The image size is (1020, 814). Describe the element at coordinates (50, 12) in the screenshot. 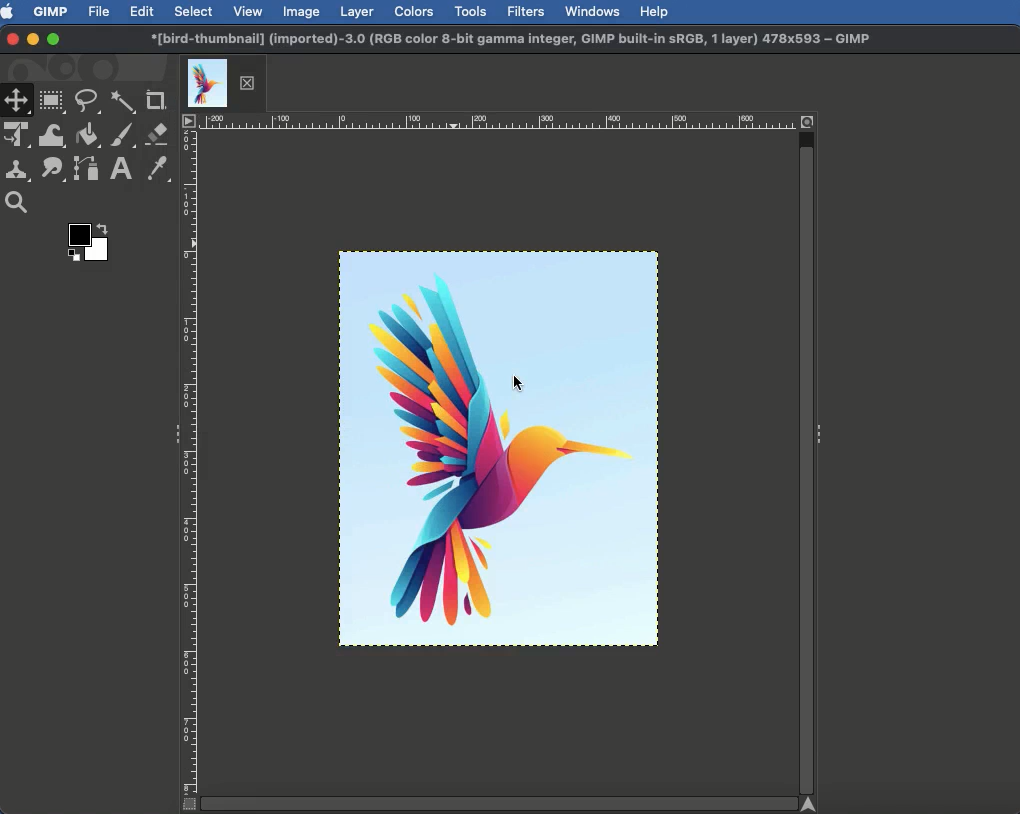

I see `GIMP` at that location.